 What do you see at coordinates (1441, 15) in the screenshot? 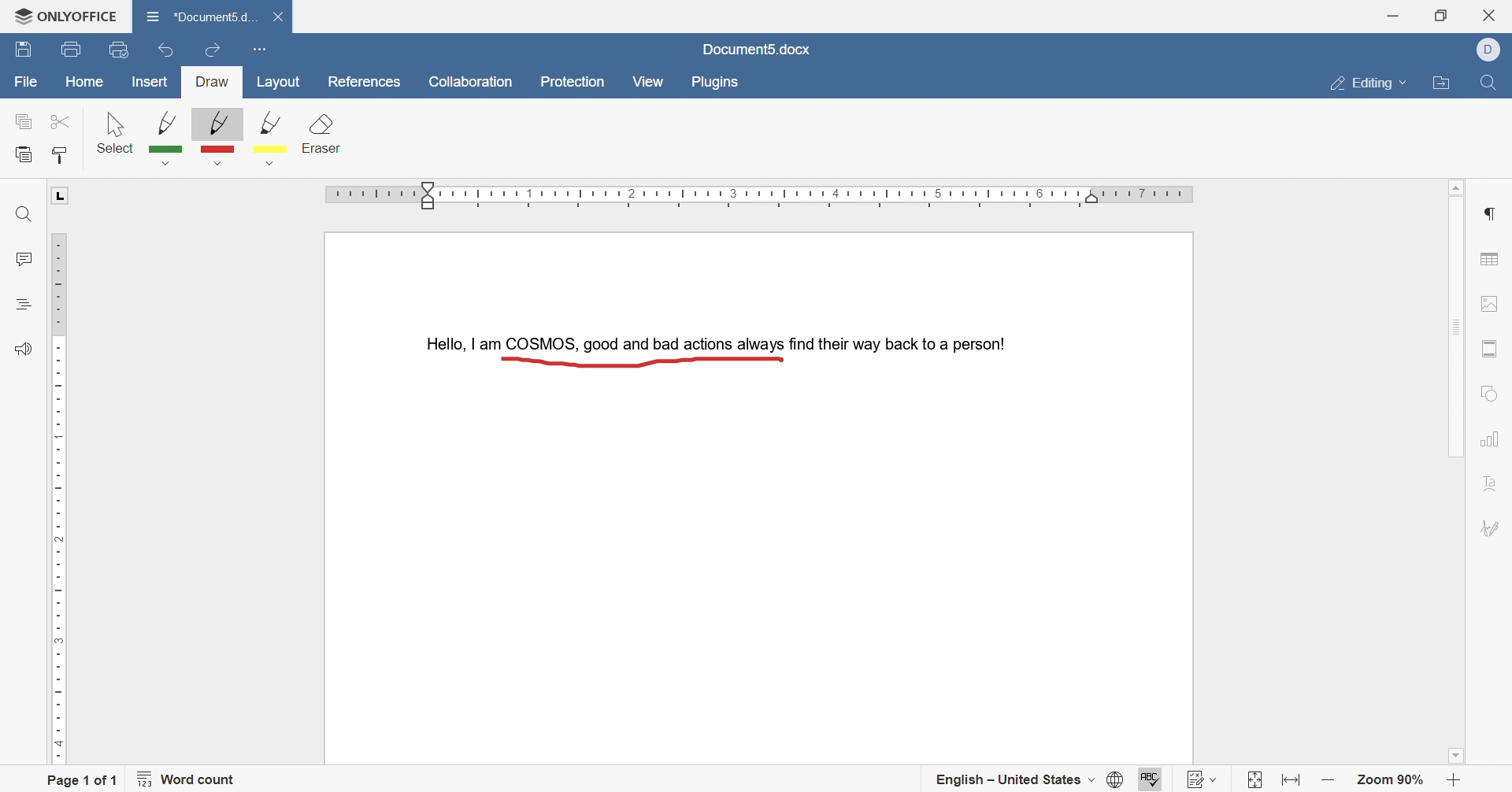
I see `restore down` at bounding box center [1441, 15].